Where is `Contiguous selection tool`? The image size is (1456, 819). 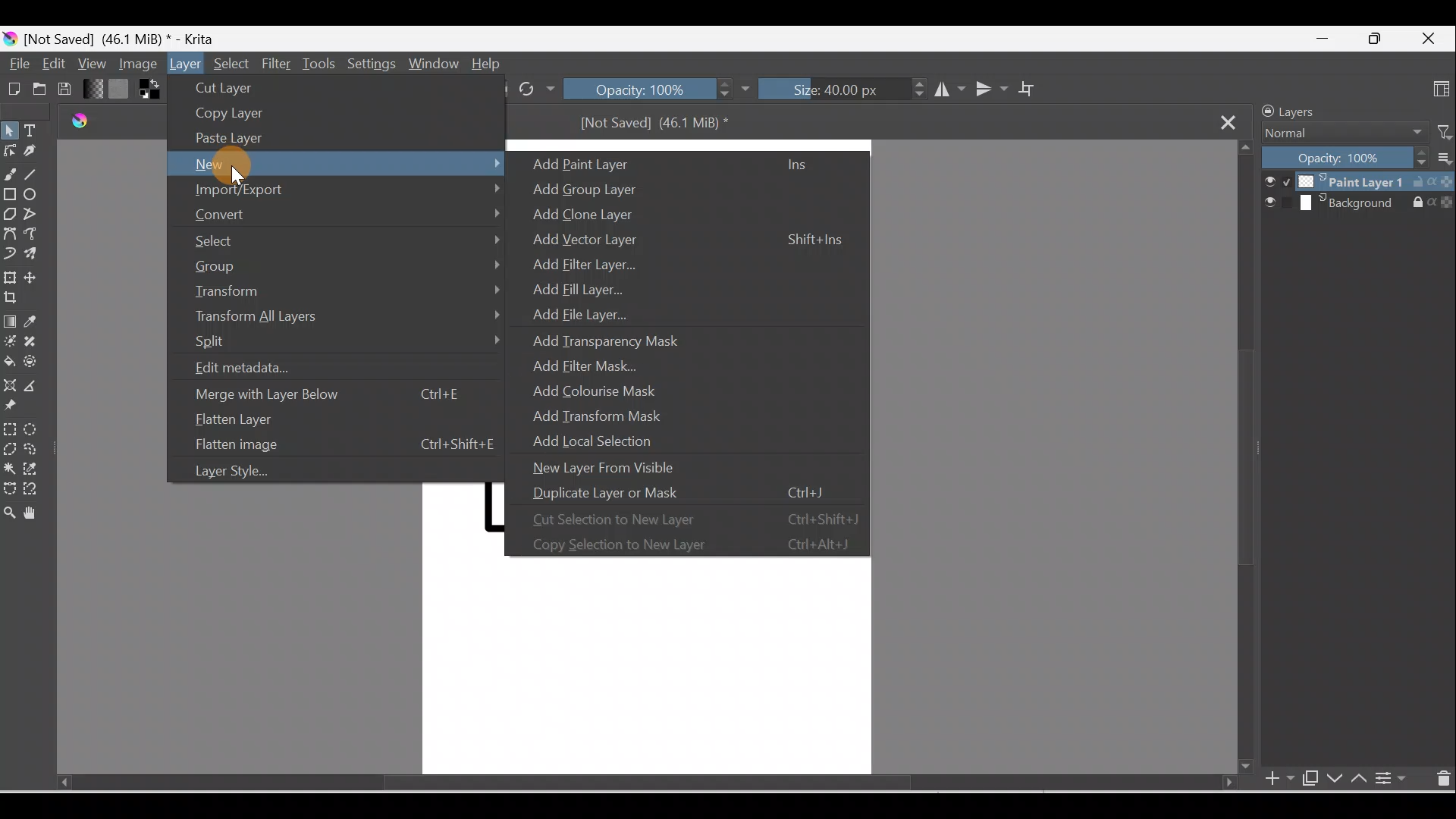
Contiguous selection tool is located at coordinates (9, 469).